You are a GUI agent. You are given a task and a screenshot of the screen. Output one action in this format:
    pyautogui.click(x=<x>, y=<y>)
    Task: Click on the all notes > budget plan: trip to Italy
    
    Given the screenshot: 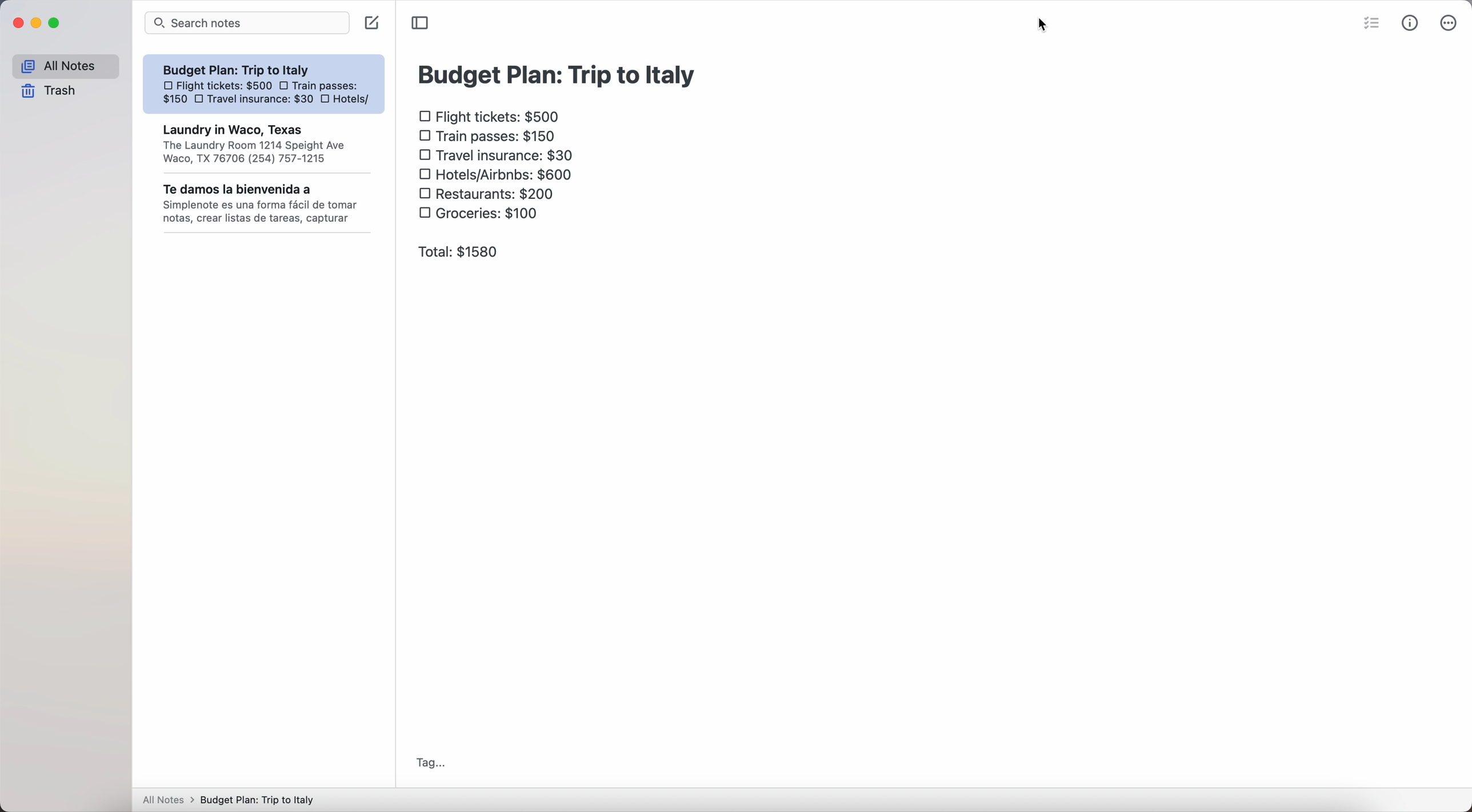 What is the action you would take?
    pyautogui.click(x=227, y=799)
    